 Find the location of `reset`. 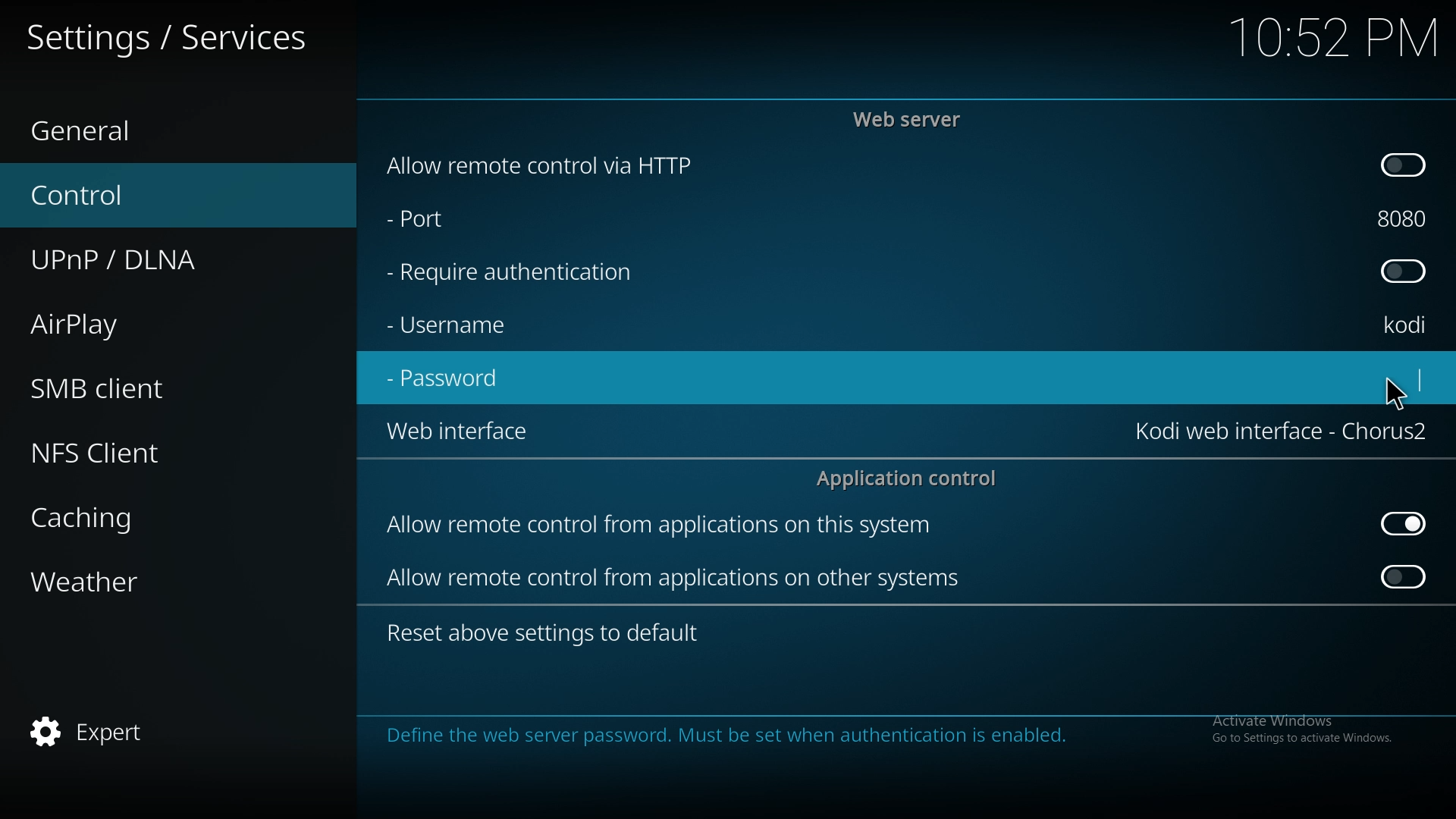

reset is located at coordinates (548, 634).